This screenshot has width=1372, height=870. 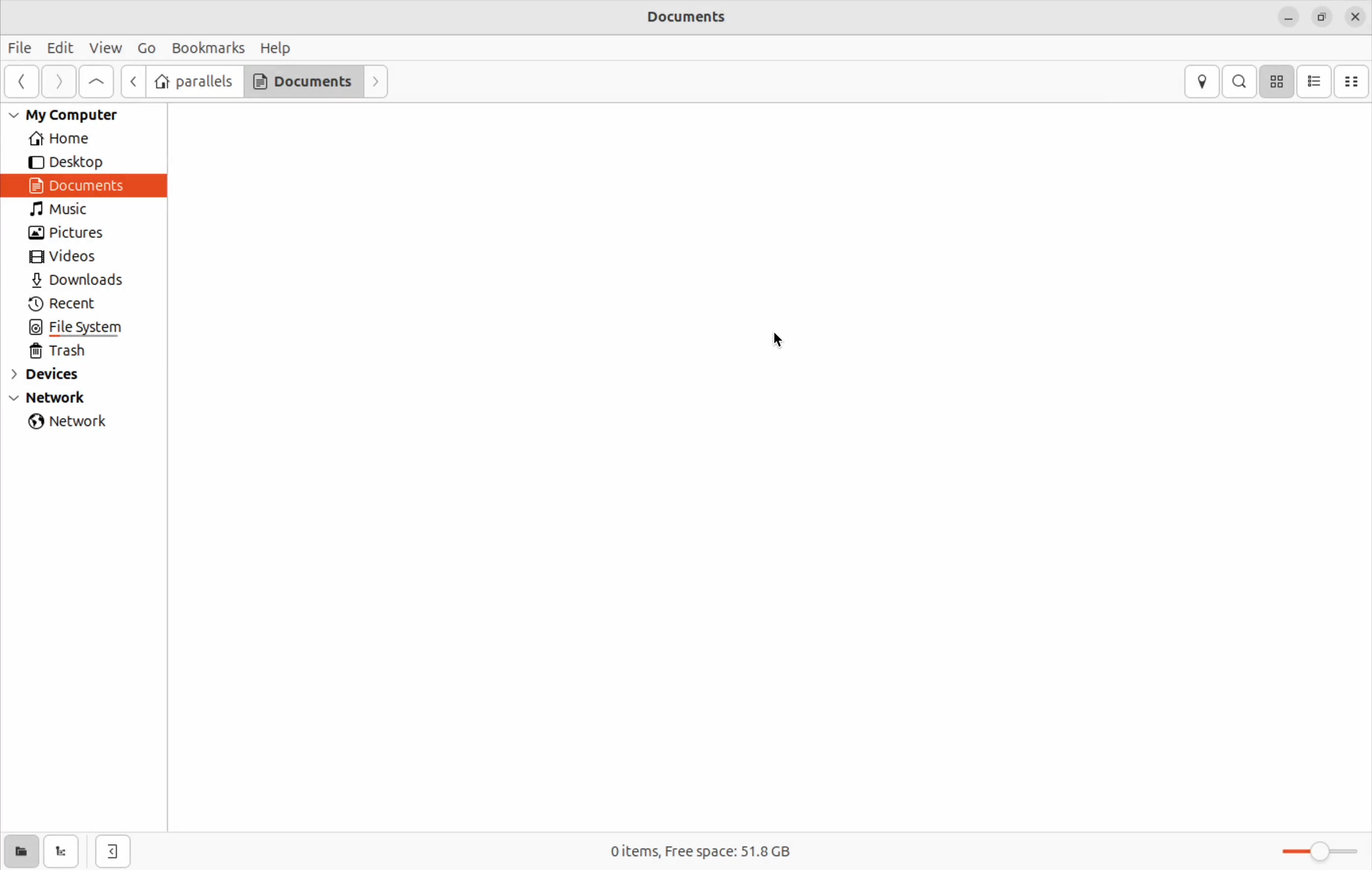 What do you see at coordinates (378, 82) in the screenshot?
I see `Forward` at bounding box center [378, 82].